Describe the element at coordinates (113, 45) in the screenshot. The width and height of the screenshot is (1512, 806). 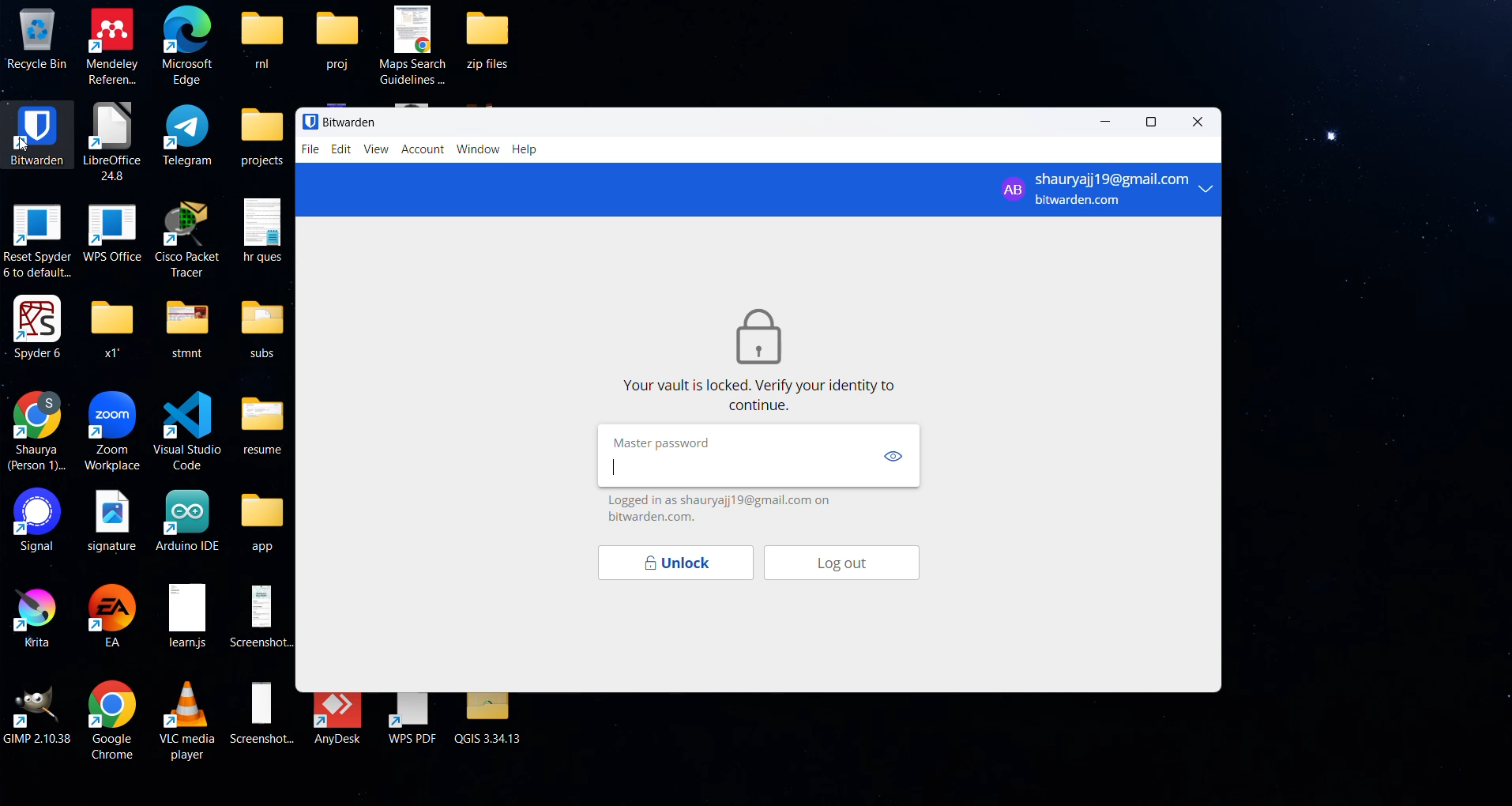
I see `Mendeley Referen...` at that location.